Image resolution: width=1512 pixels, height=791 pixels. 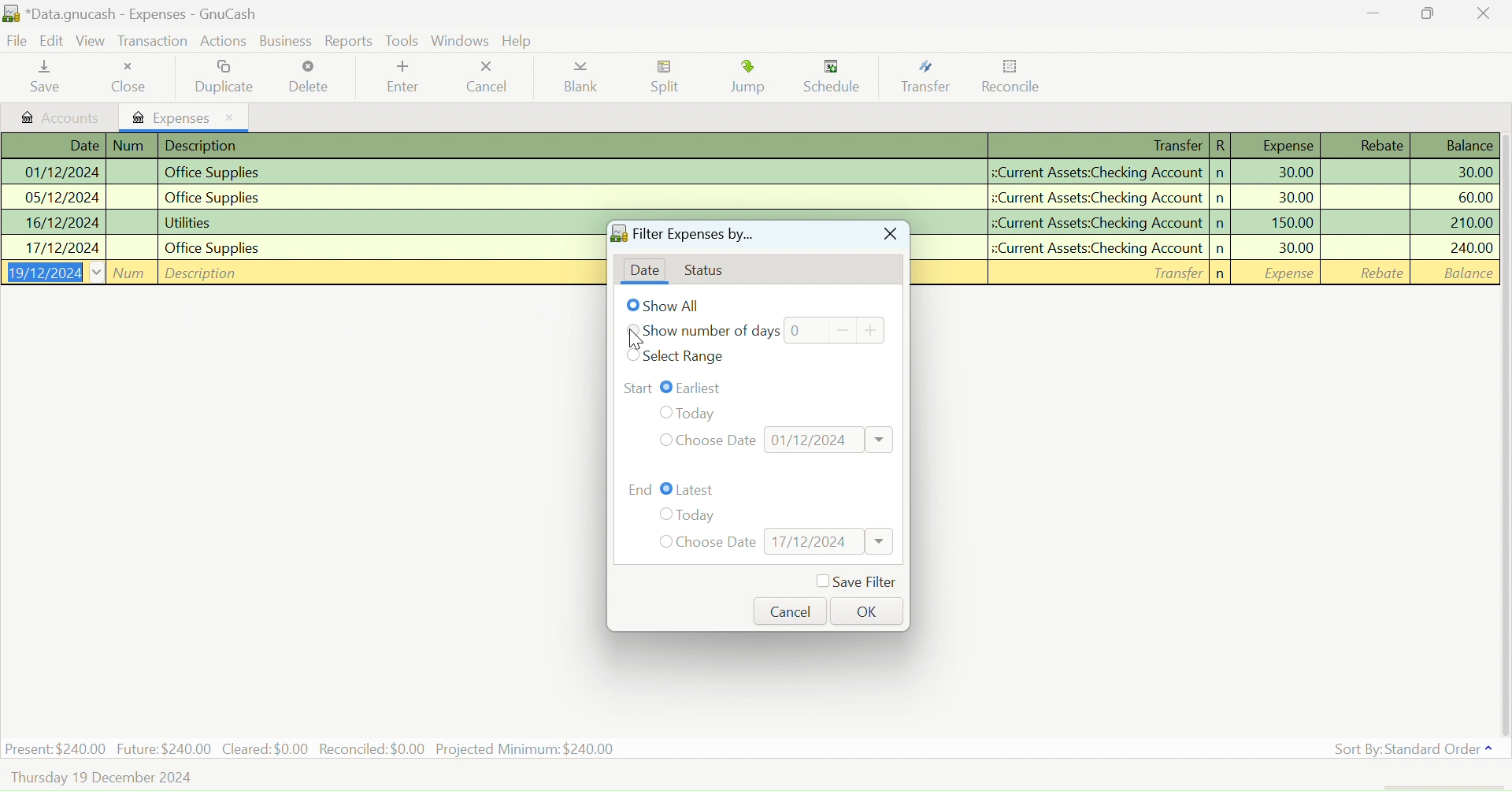 I want to click on Blank, so click(x=581, y=80).